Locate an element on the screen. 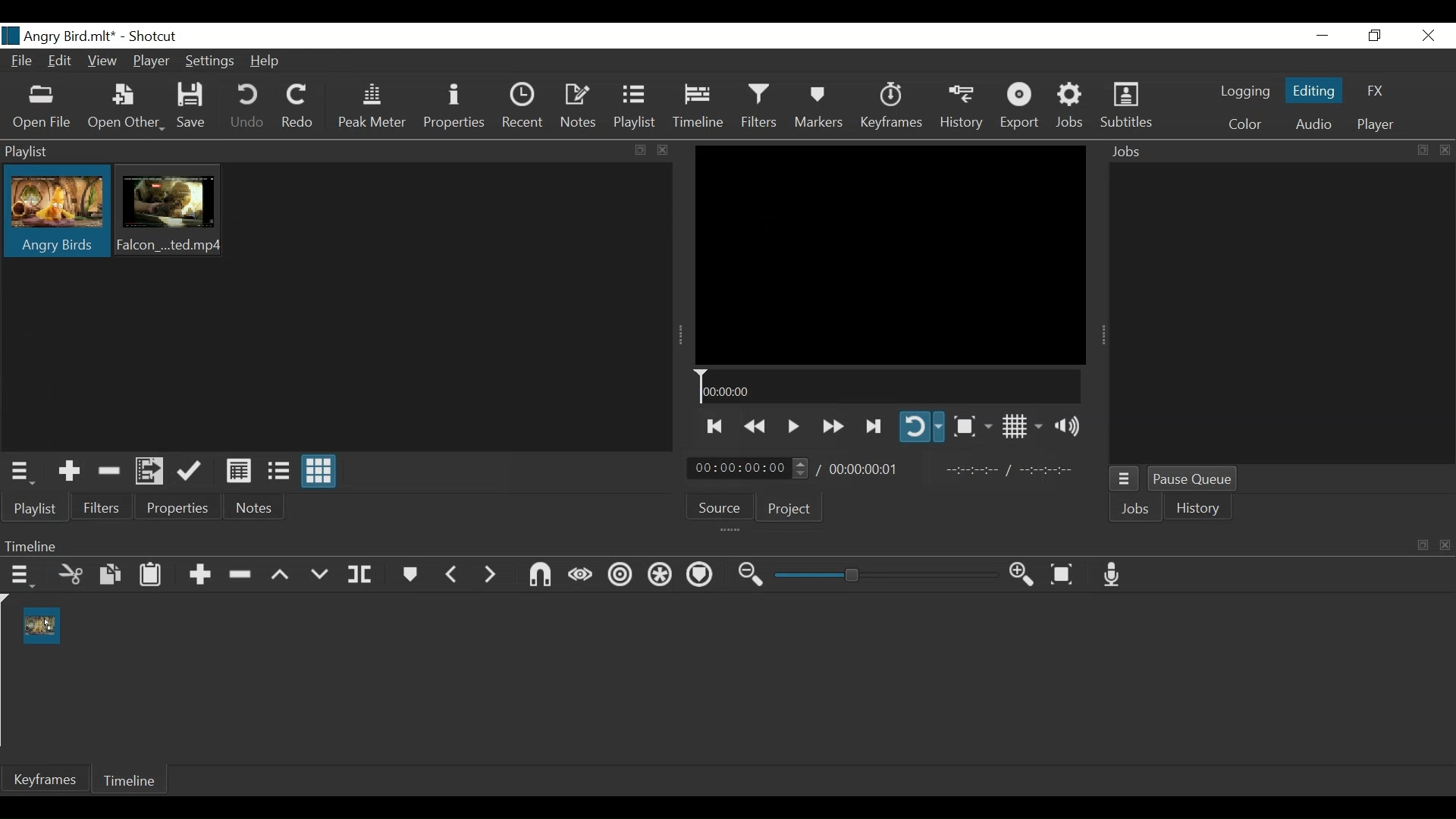 The width and height of the screenshot is (1456, 819). Overwrite is located at coordinates (319, 572).